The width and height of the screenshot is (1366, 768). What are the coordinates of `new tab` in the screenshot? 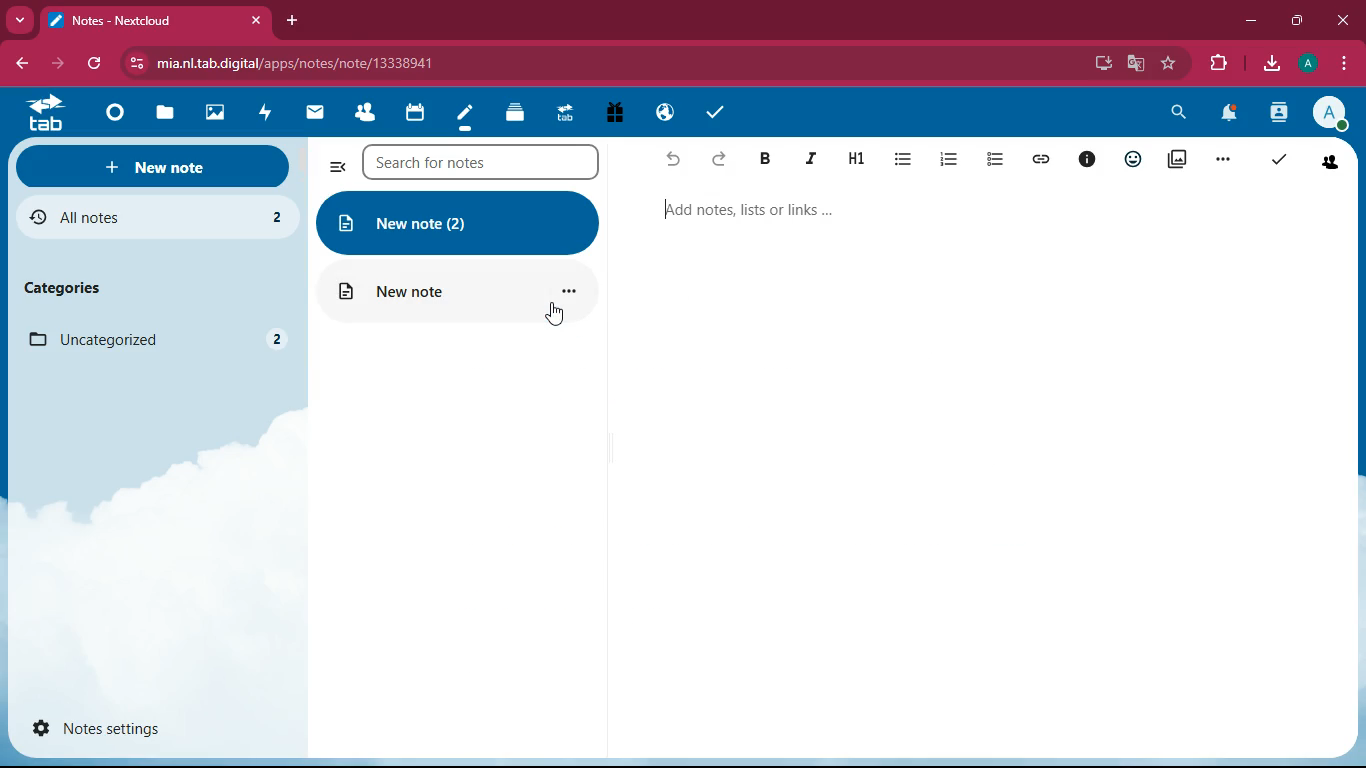 It's located at (294, 21).